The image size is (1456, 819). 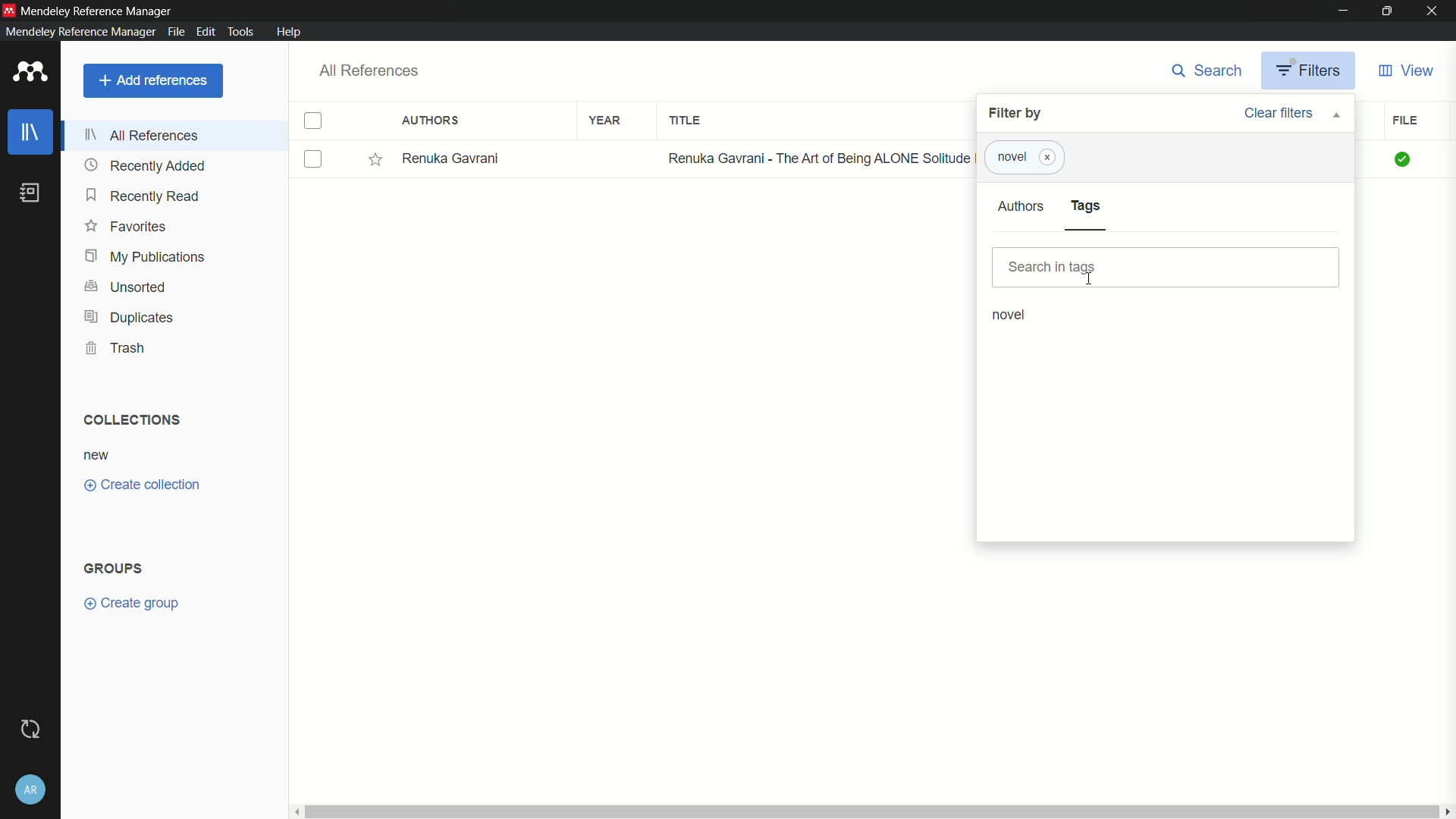 What do you see at coordinates (142, 135) in the screenshot?
I see `all references` at bounding box center [142, 135].